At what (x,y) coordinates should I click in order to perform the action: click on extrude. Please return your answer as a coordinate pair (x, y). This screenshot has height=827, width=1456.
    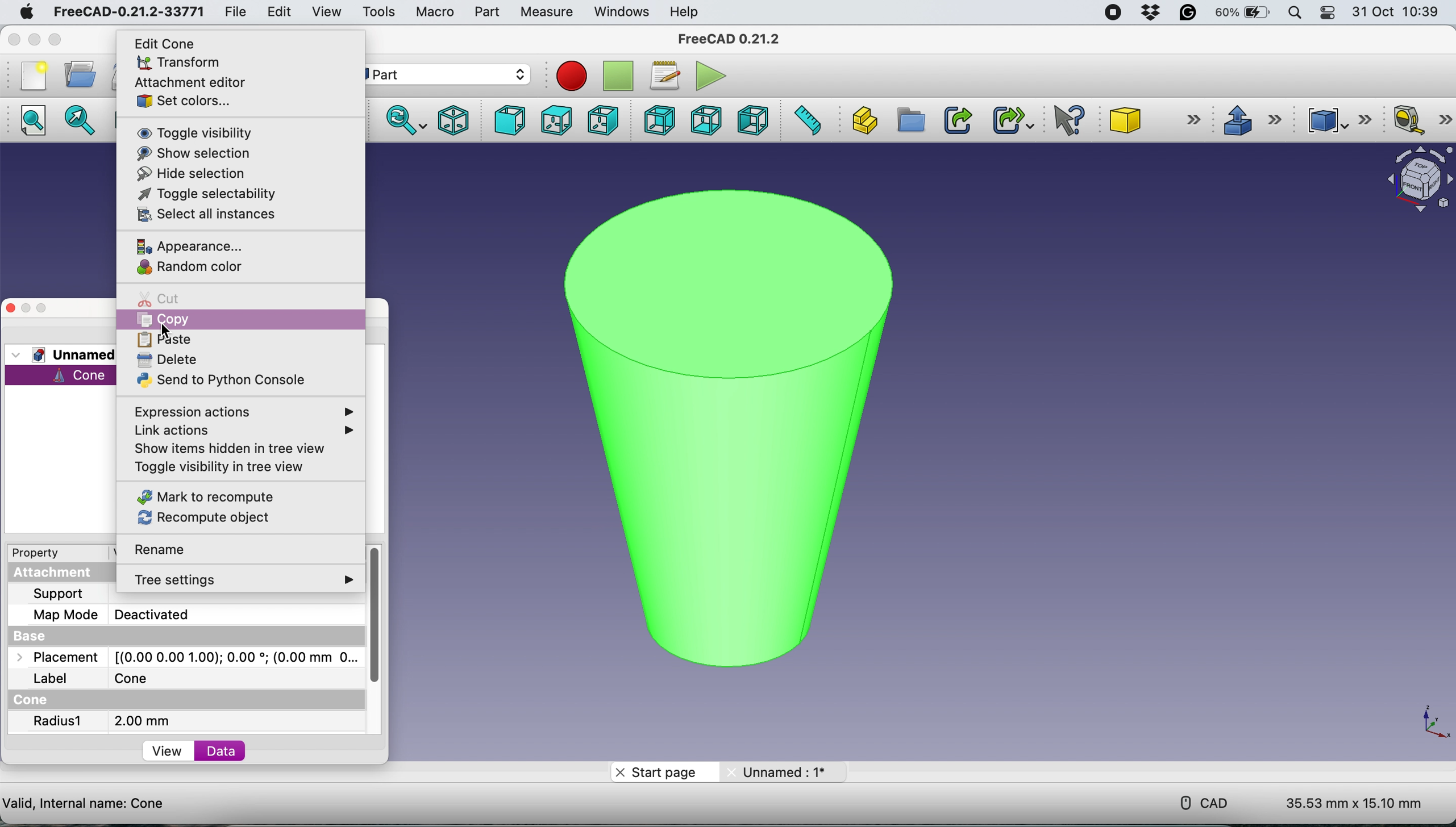
    Looking at the image, I should click on (1251, 120).